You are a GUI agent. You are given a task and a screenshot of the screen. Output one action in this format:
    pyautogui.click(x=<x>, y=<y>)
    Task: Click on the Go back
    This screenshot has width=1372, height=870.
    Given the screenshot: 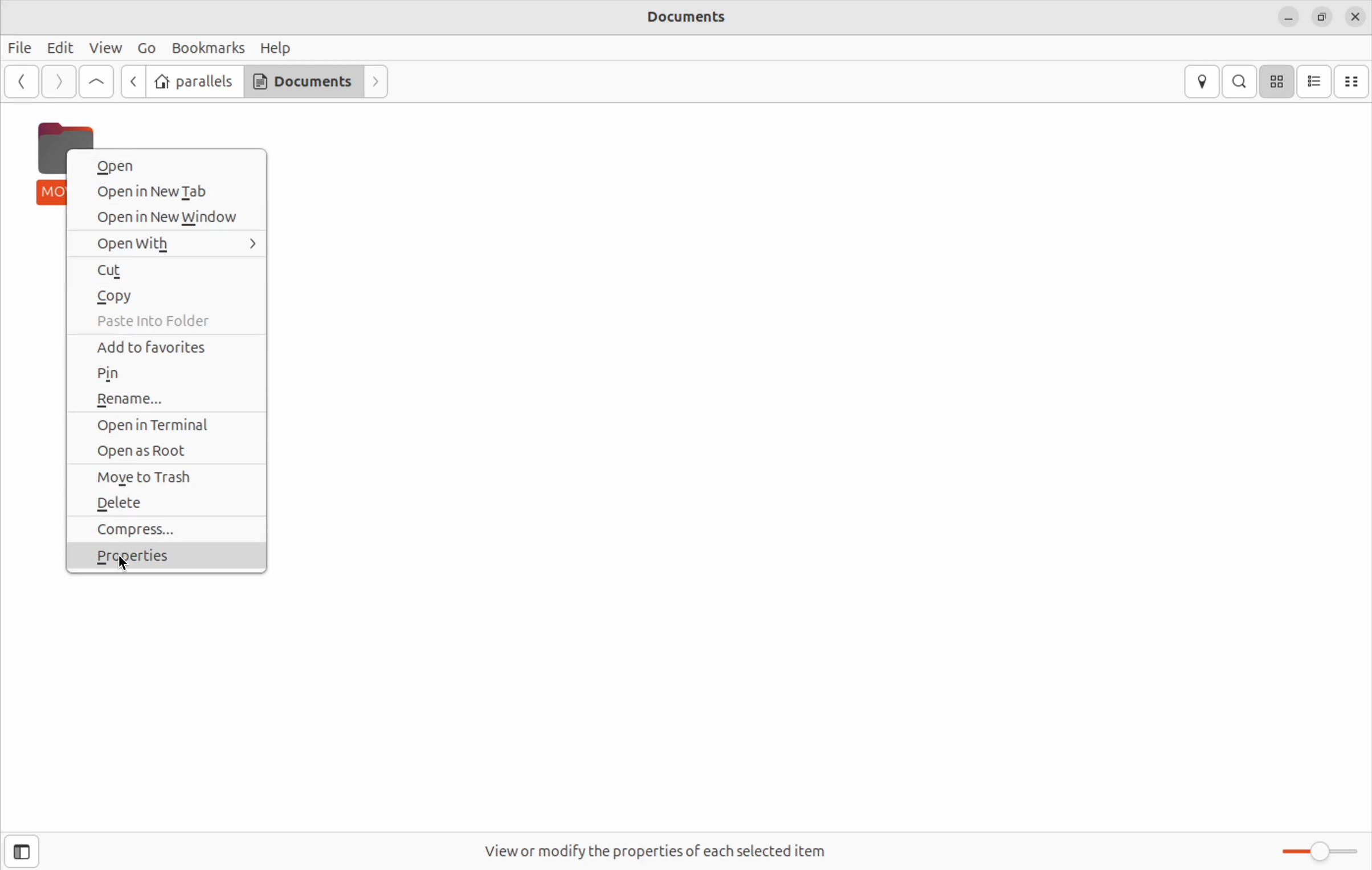 What is the action you would take?
    pyautogui.click(x=19, y=81)
    